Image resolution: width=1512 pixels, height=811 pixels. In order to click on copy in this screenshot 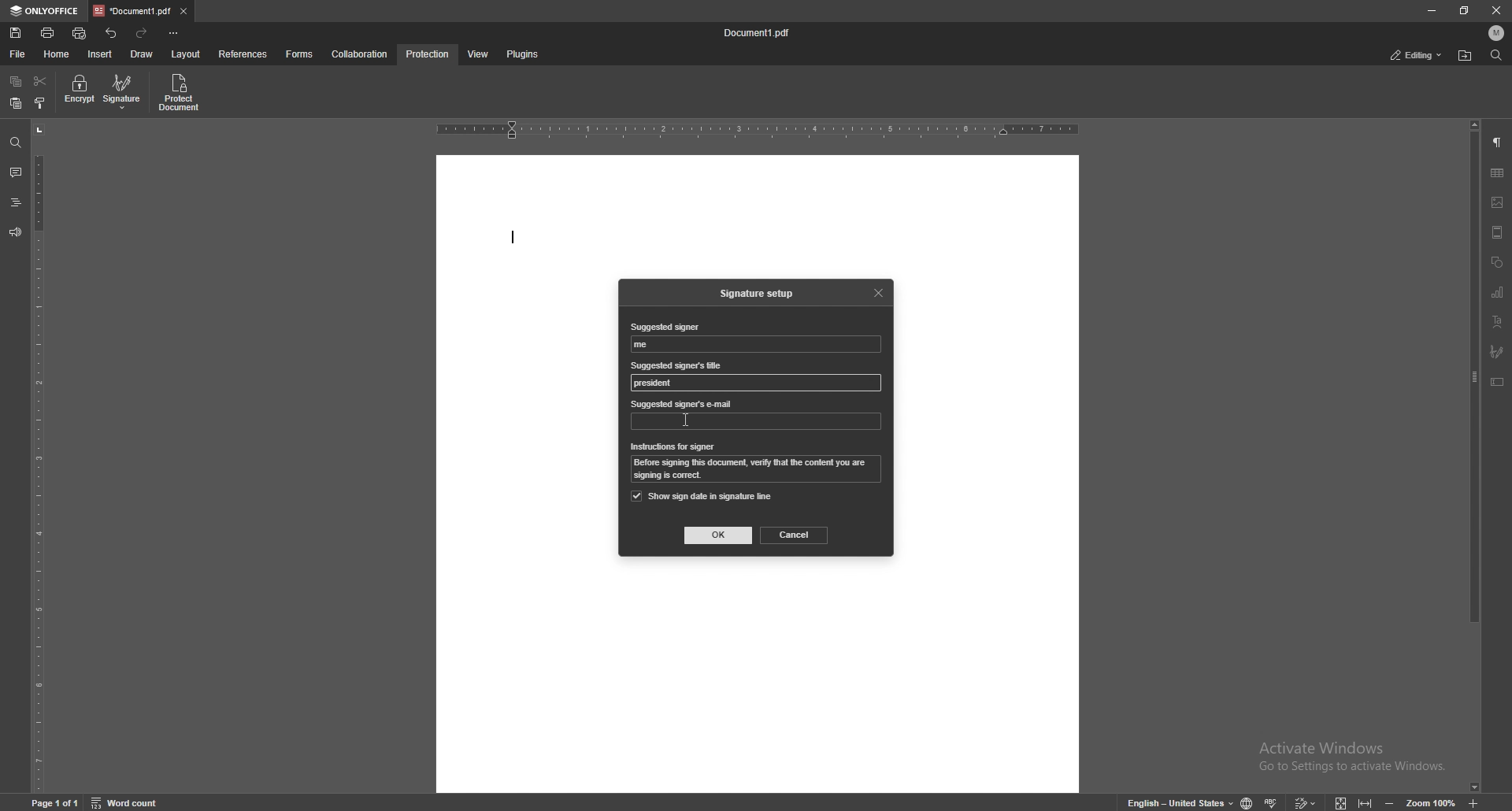, I will do `click(16, 82)`.